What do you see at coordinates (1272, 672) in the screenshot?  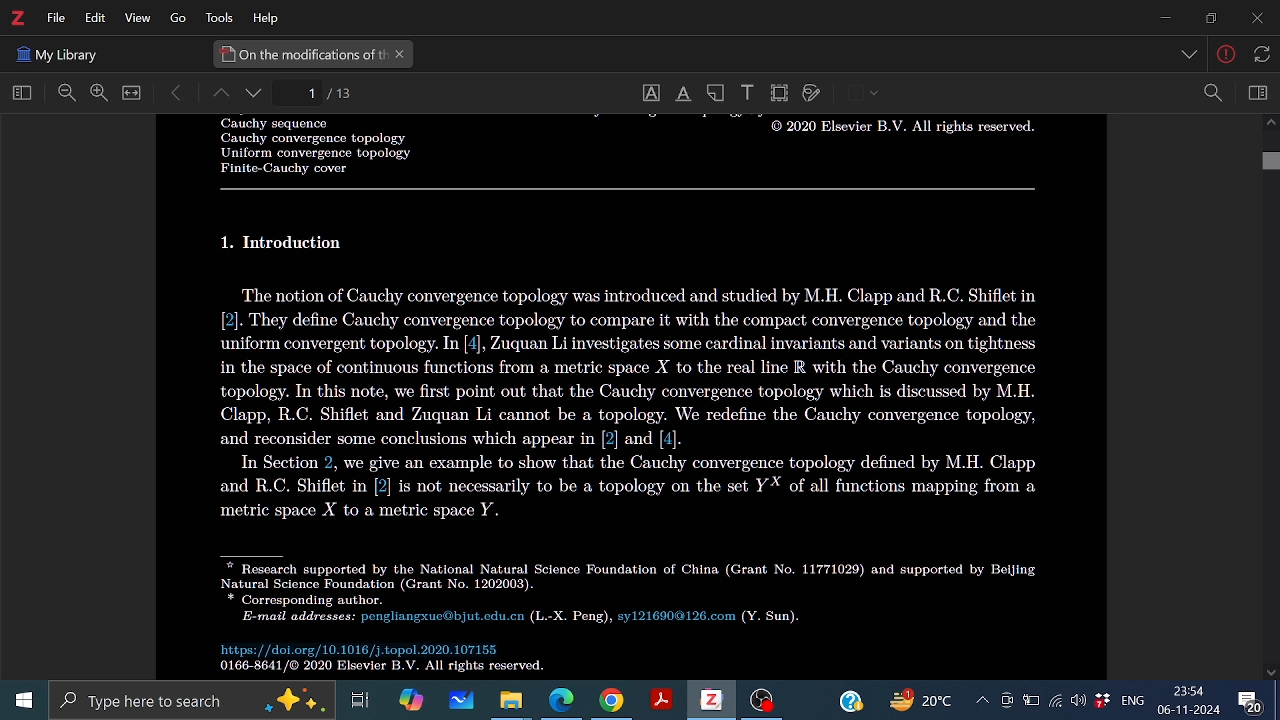 I see `Move down` at bounding box center [1272, 672].